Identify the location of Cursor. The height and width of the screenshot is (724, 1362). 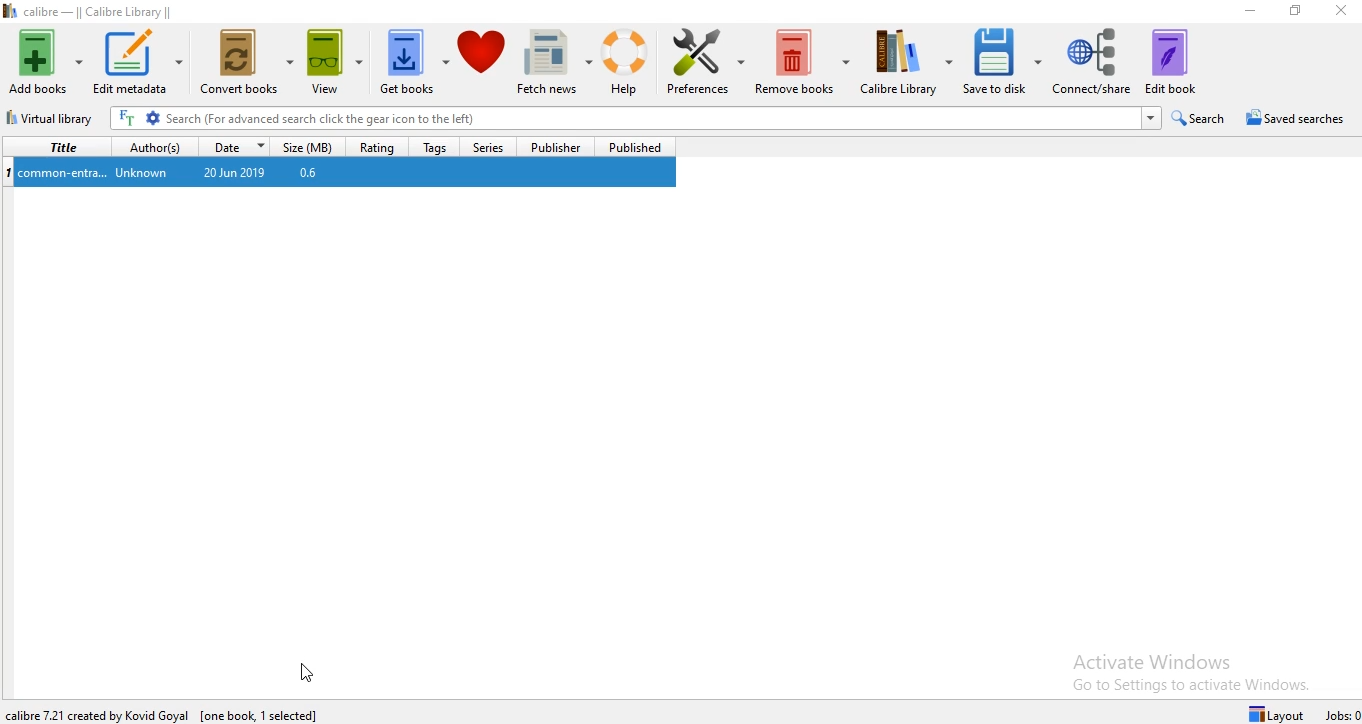
(303, 671).